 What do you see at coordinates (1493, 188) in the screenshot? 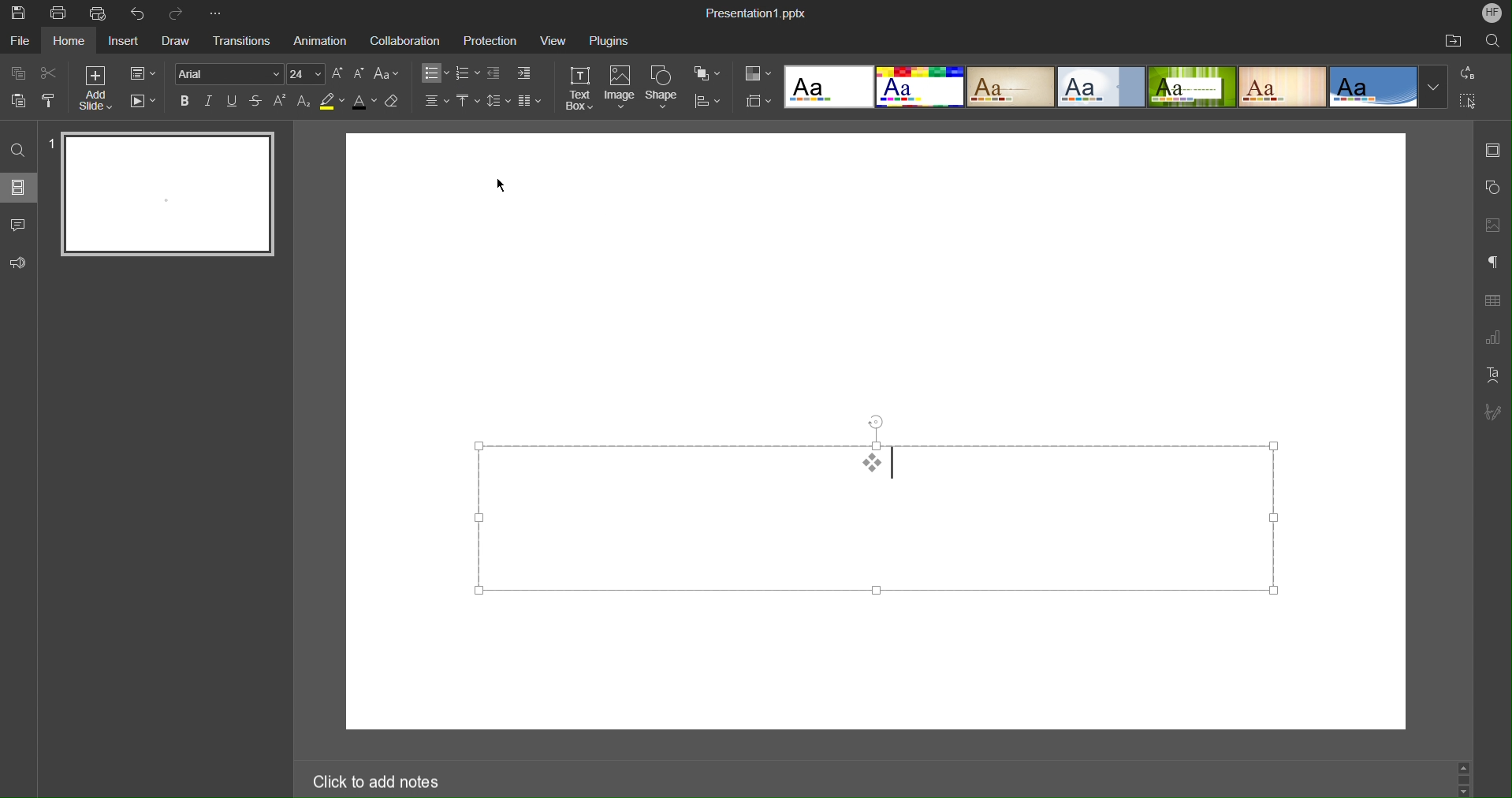
I see `Shape Settings` at bounding box center [1493, 188].